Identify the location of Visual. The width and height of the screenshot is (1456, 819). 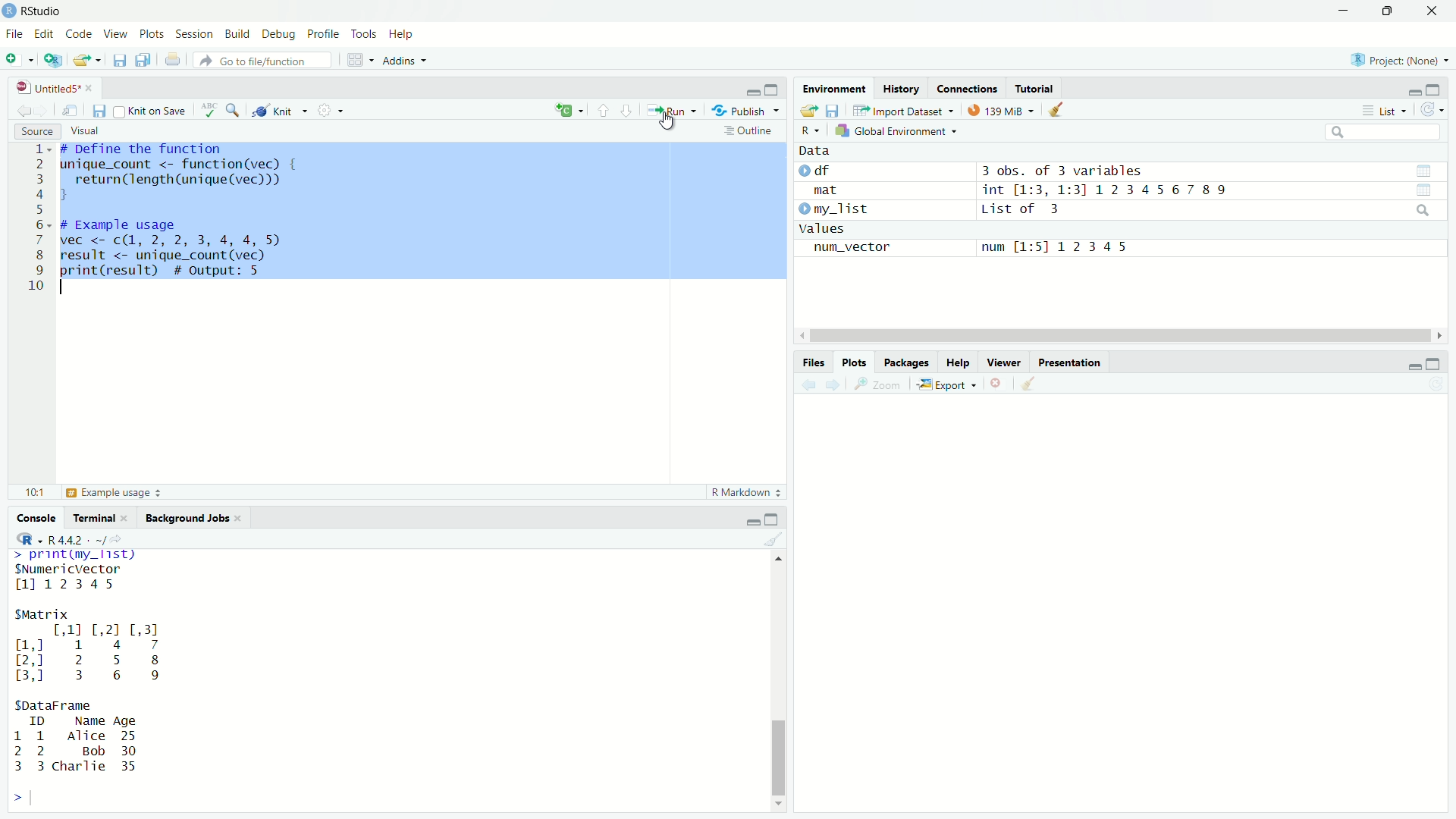
(87, 130).